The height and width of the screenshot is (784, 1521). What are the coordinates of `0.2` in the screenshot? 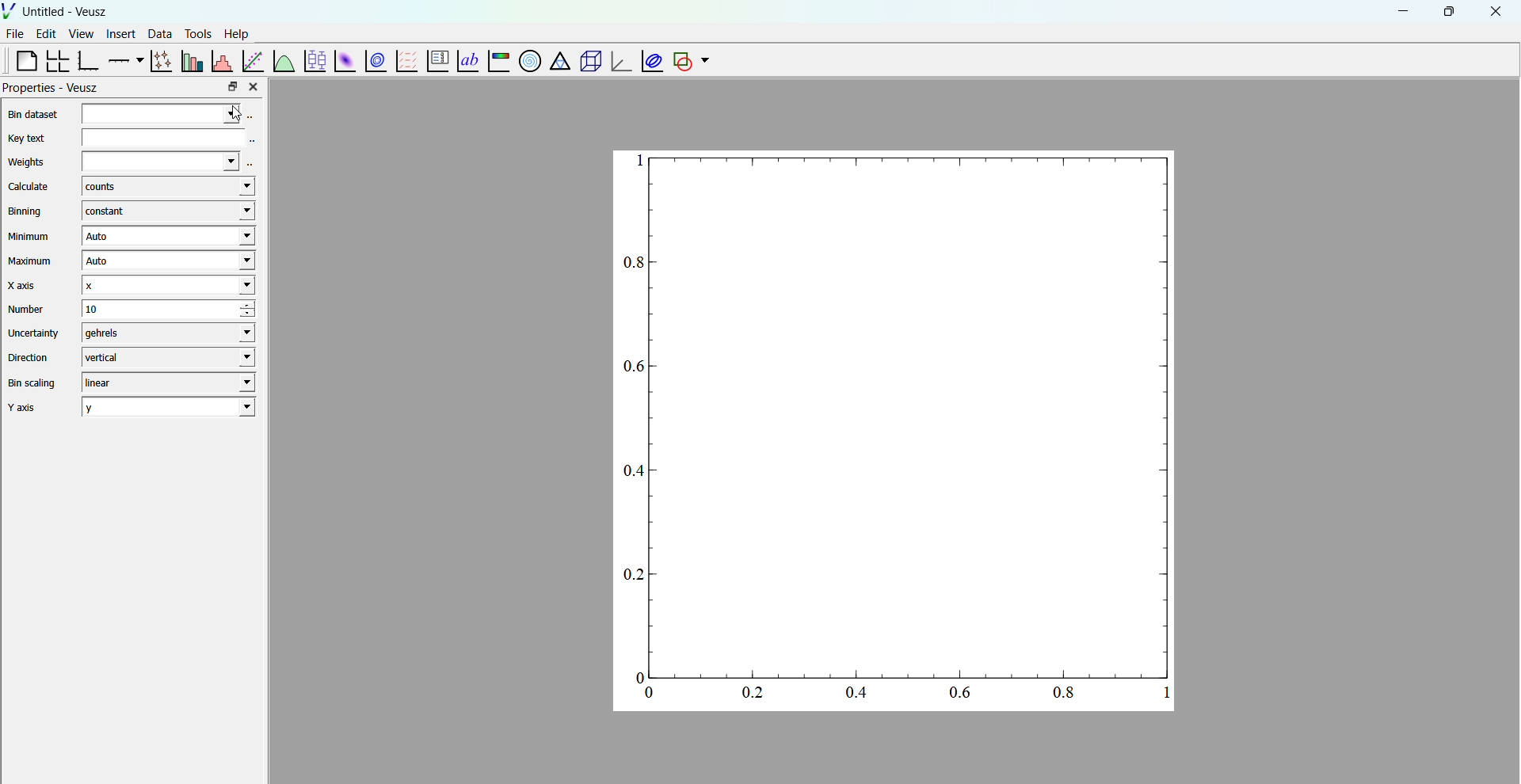 It's located at (631, 577).